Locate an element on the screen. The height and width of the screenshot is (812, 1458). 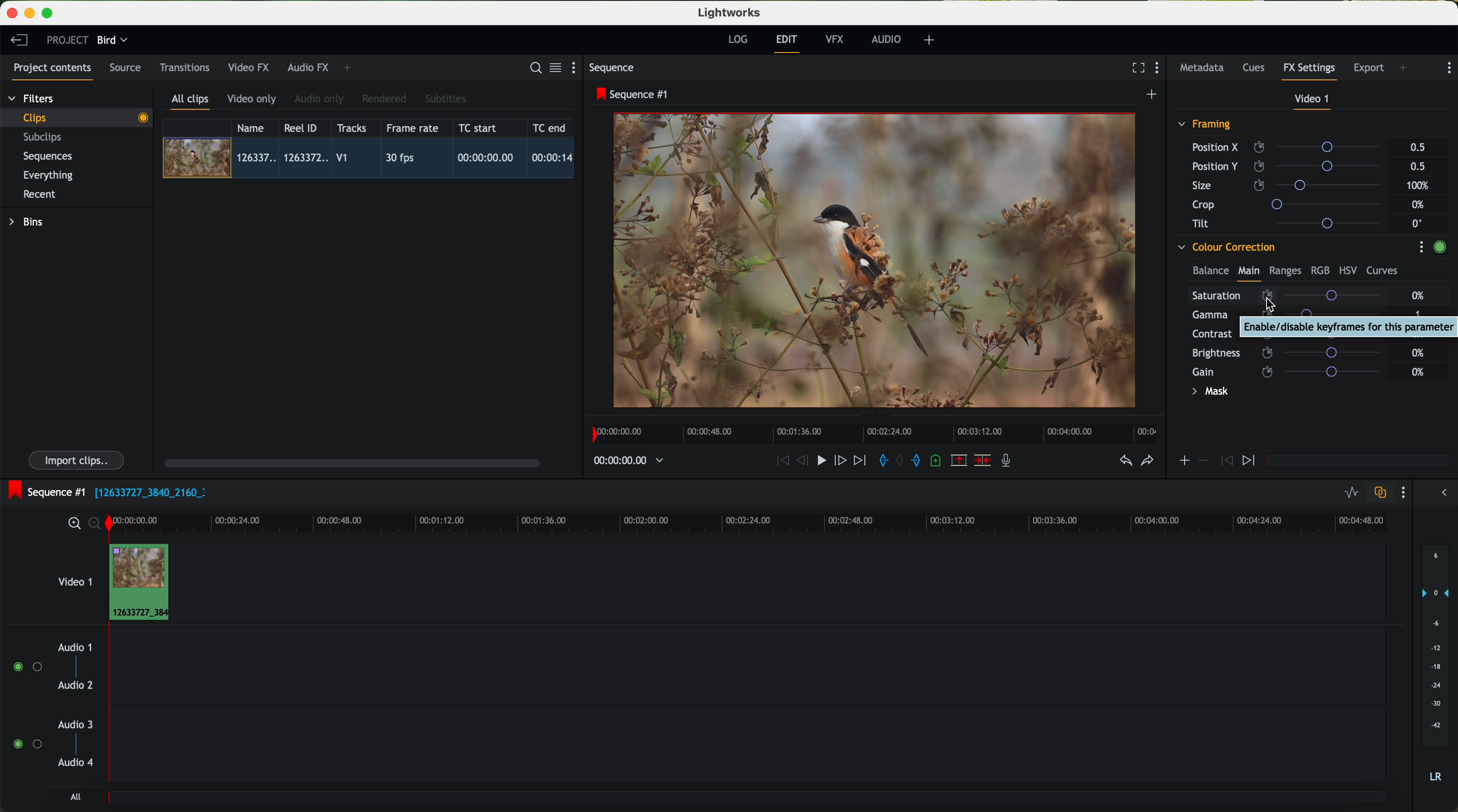
undo is located at coordinates (1125, 461).